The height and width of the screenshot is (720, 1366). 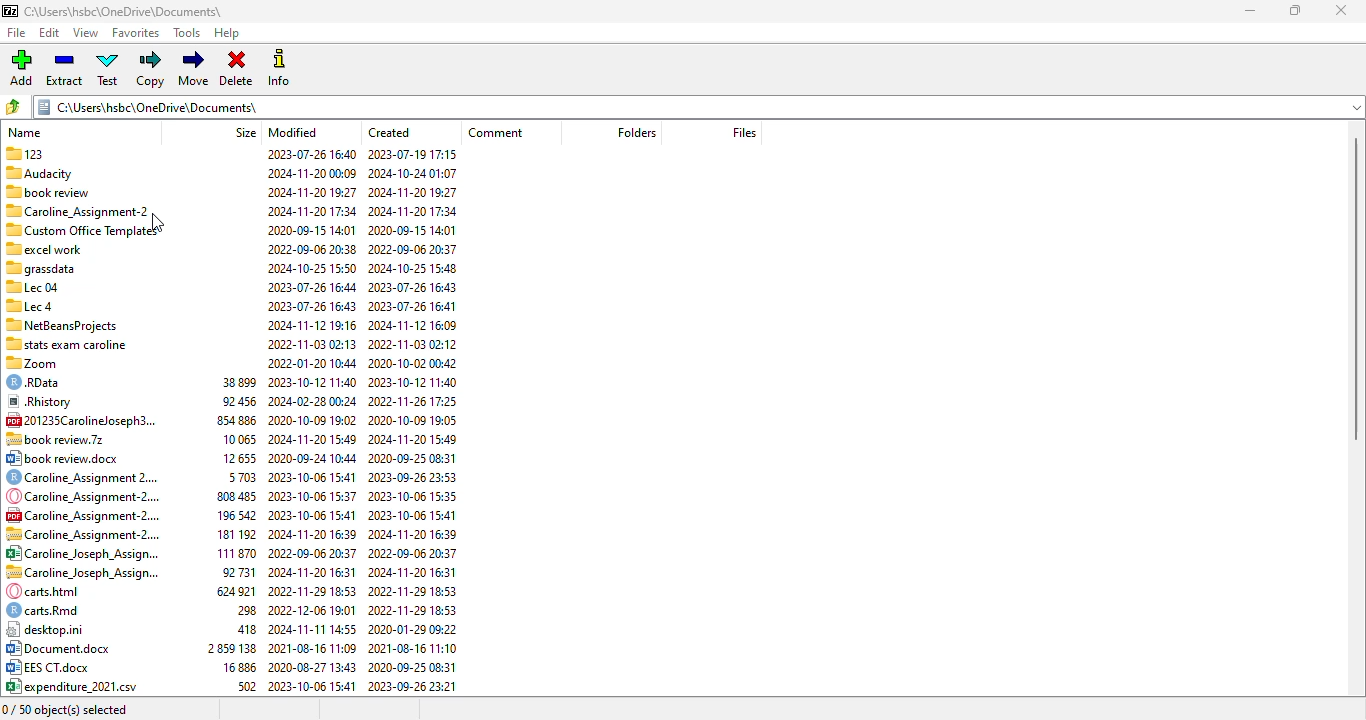 I want to click on bt atl
&8 Caroline Assignment-2...., so click(x=84, y=534).